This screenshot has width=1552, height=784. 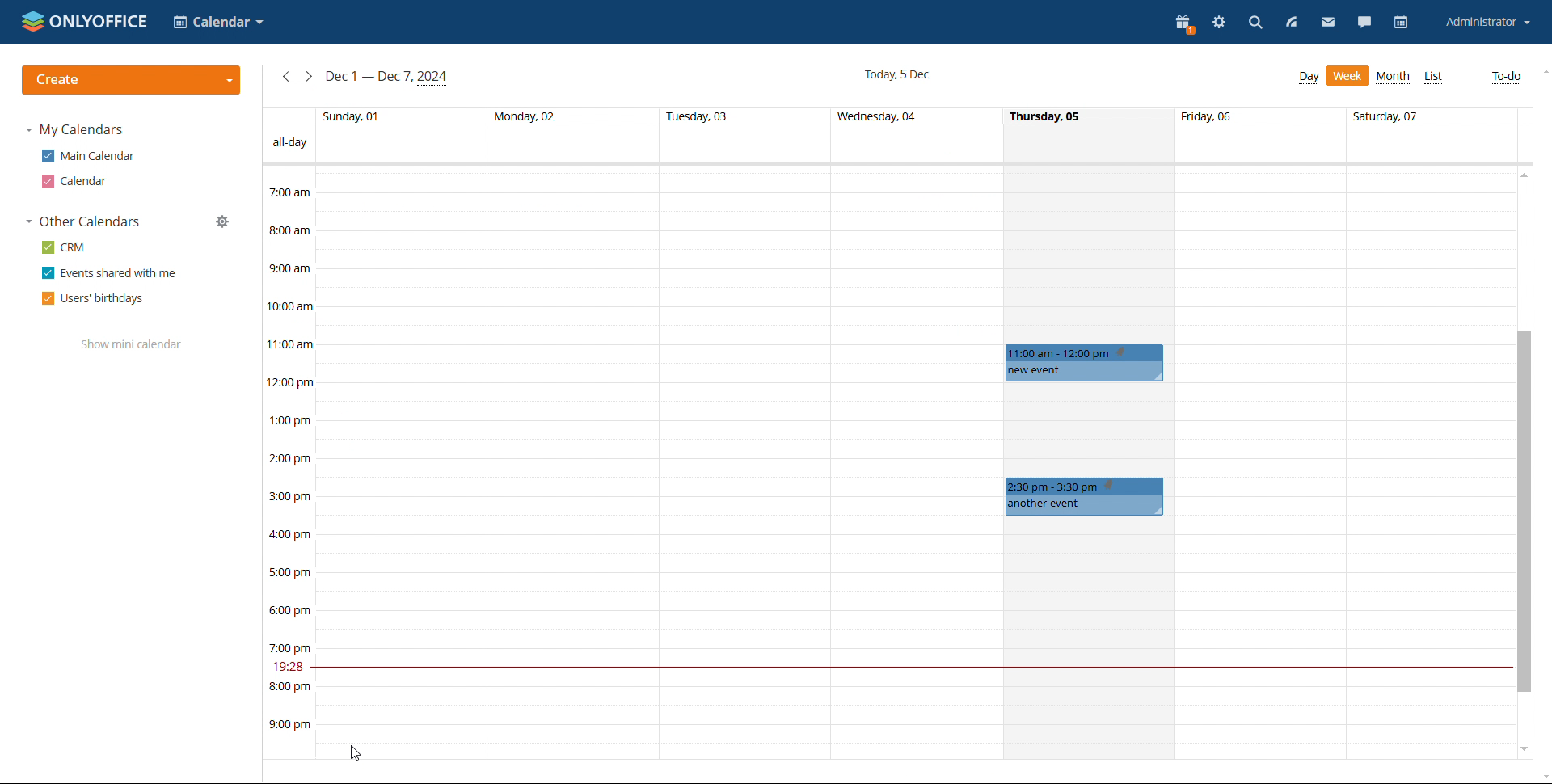 I want to click on search, so click(x=1255, y=23).